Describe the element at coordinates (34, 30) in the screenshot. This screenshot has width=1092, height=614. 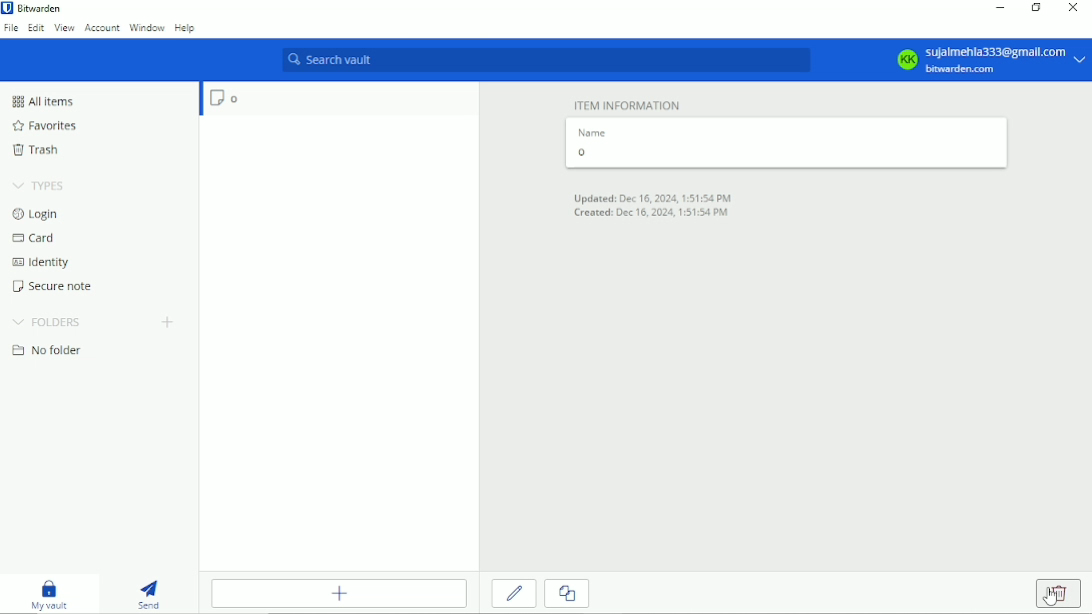
I see `Edit` at that location.